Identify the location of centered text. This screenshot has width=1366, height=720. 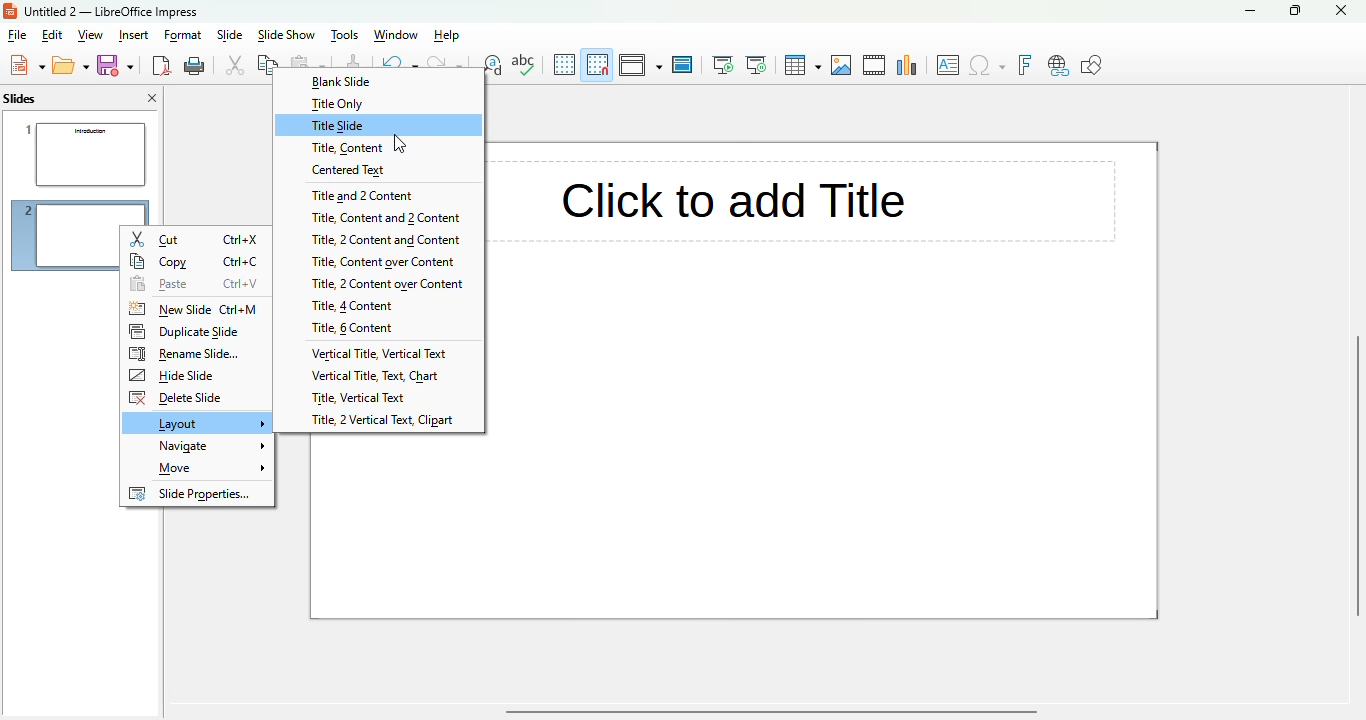
(377, 169).